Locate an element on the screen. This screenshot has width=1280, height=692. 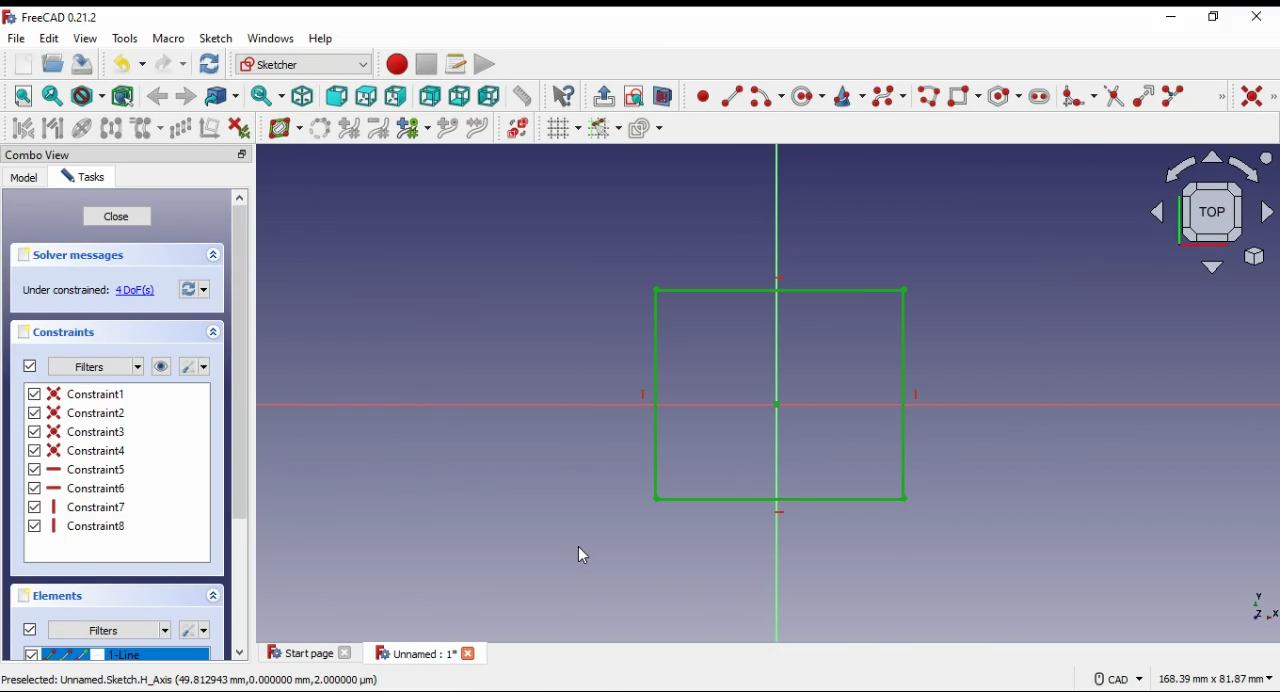
on/off constraint 6 is located at coordinates (88, 487).